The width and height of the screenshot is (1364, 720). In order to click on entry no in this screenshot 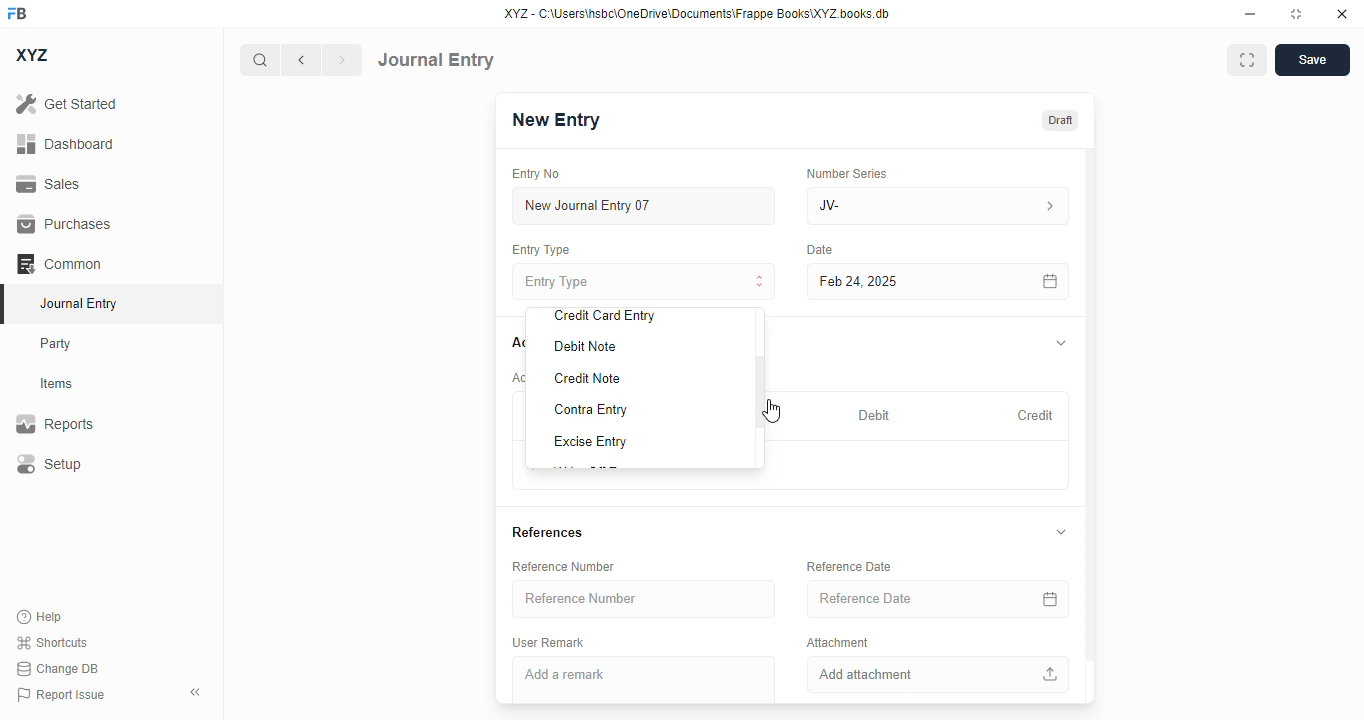, I will do `click(537, 173)`.